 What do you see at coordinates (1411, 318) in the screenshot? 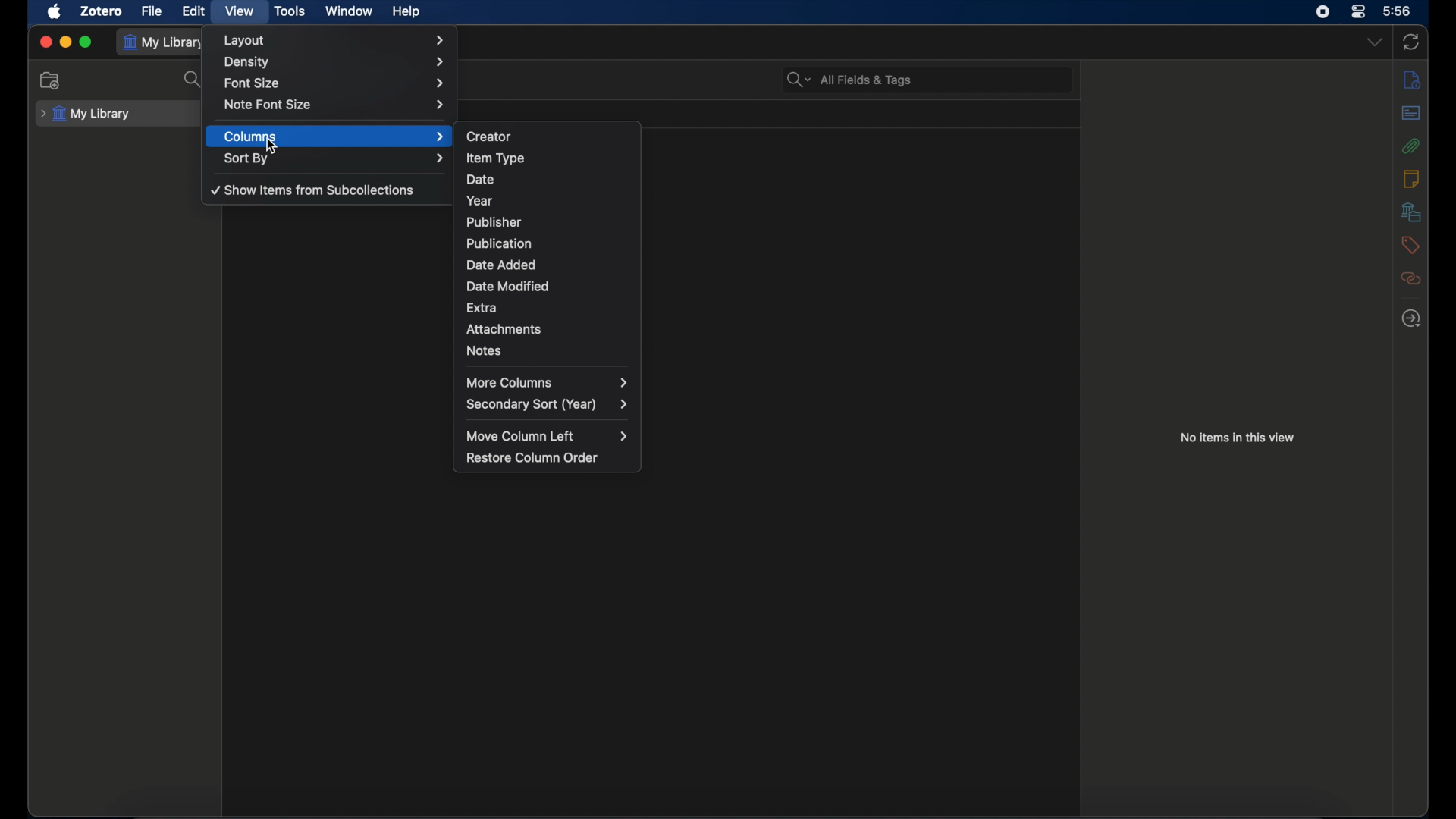
I see `locate` at bounding box center [1411, 318].